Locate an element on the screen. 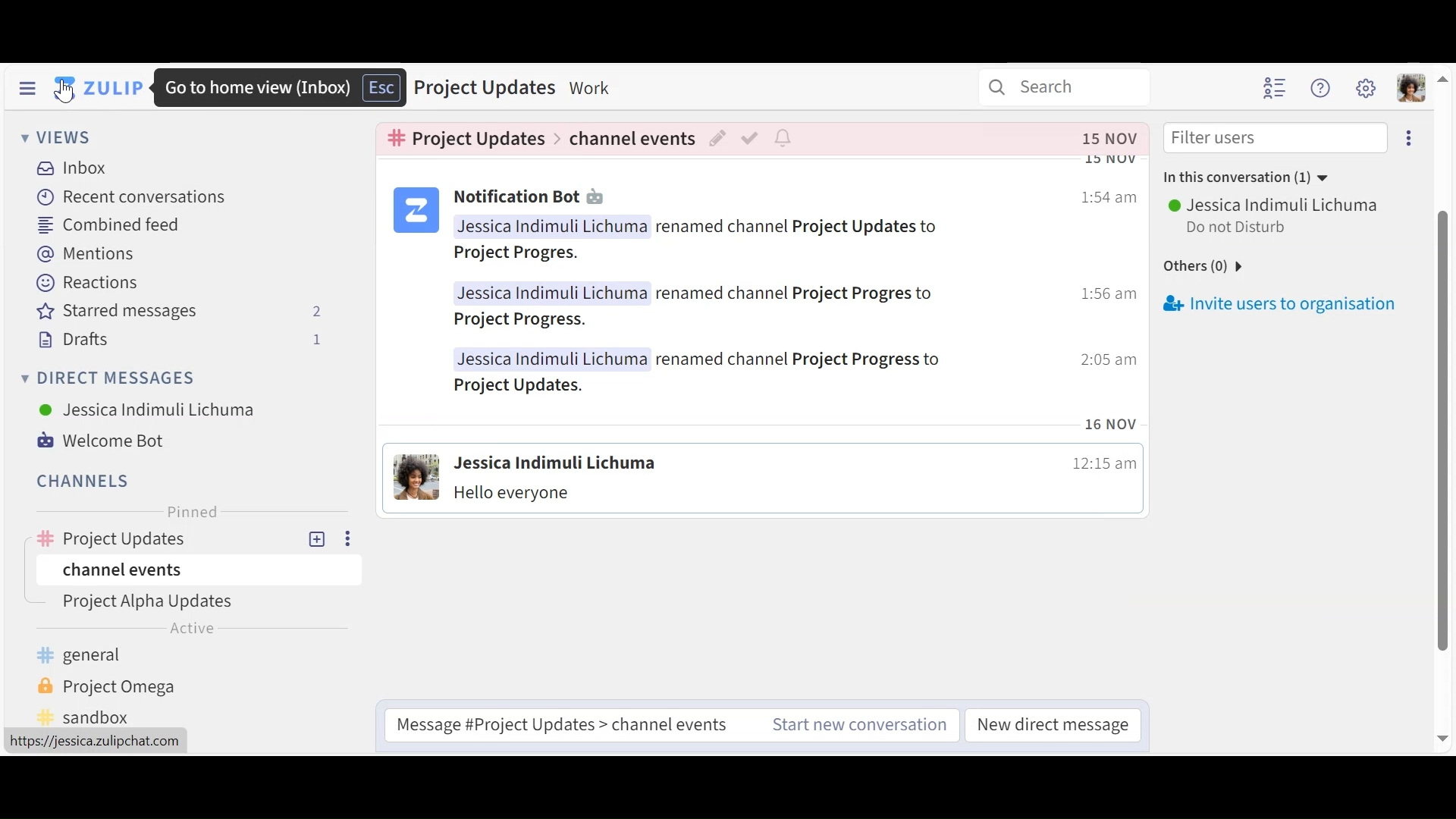 This screenshot has width=1456, height=819. sandbox is located at coordinates (116, 717).